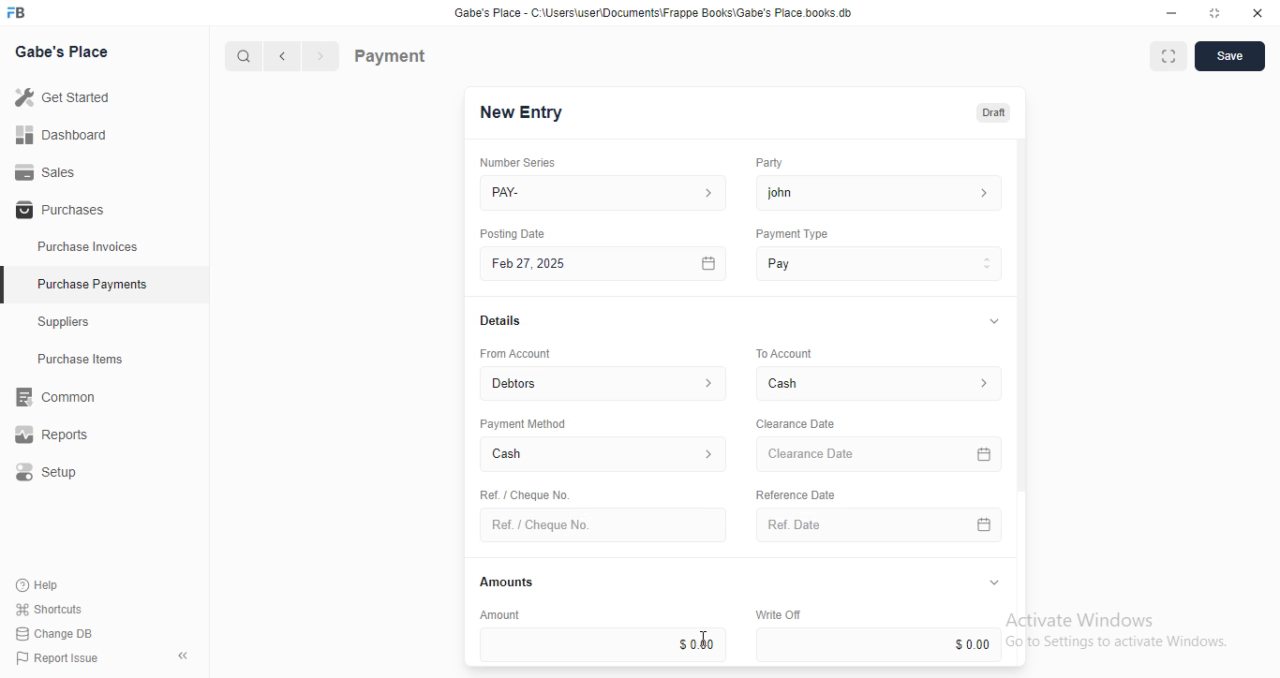 This screenshot has height=678, width=1280. Describe the element at coordinates (604, 456) in the screenshot. I see `Cash` at that location.